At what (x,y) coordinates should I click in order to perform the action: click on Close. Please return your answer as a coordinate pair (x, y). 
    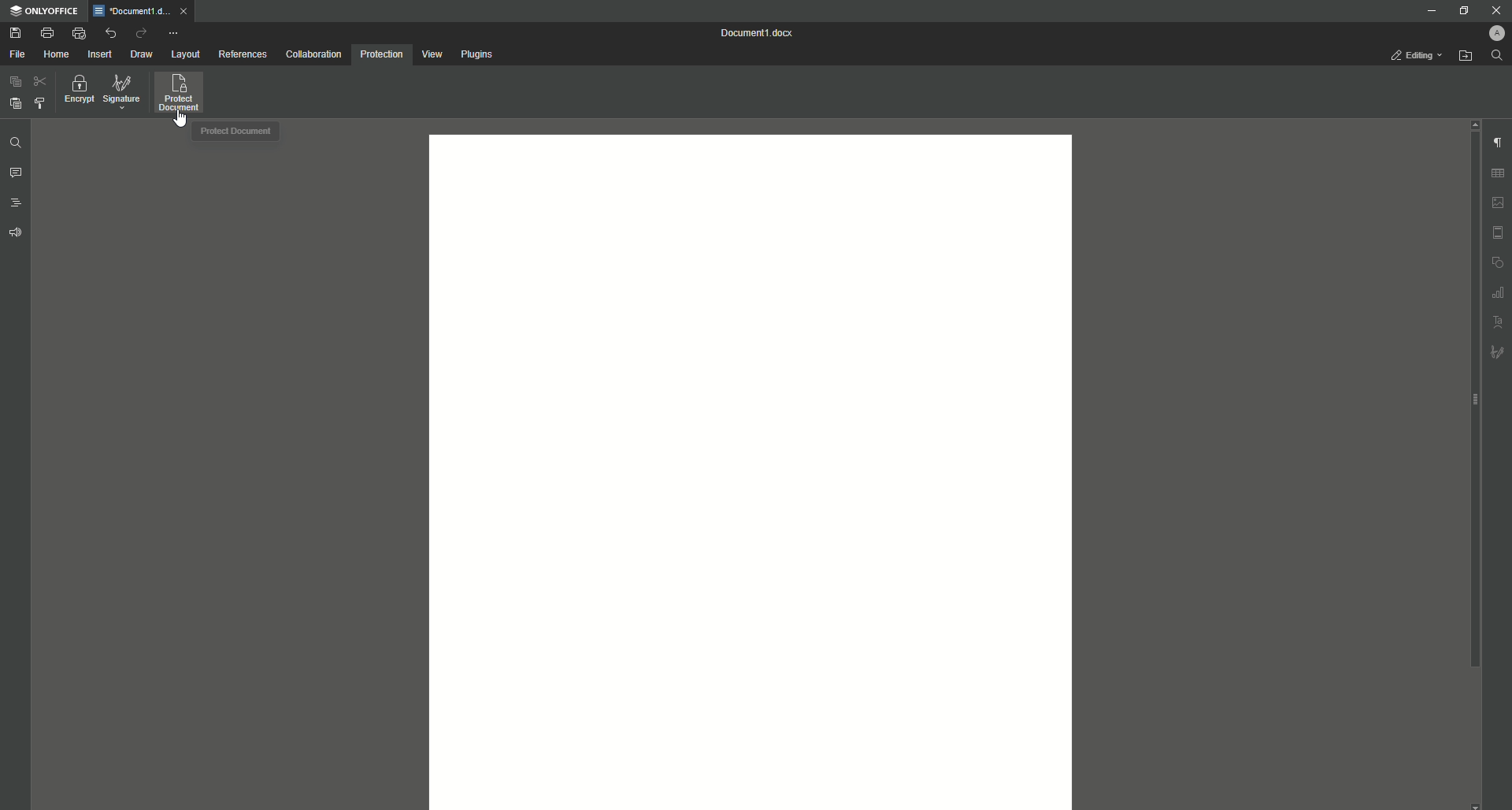
    Looking at the image, I should click on (1494, 10).